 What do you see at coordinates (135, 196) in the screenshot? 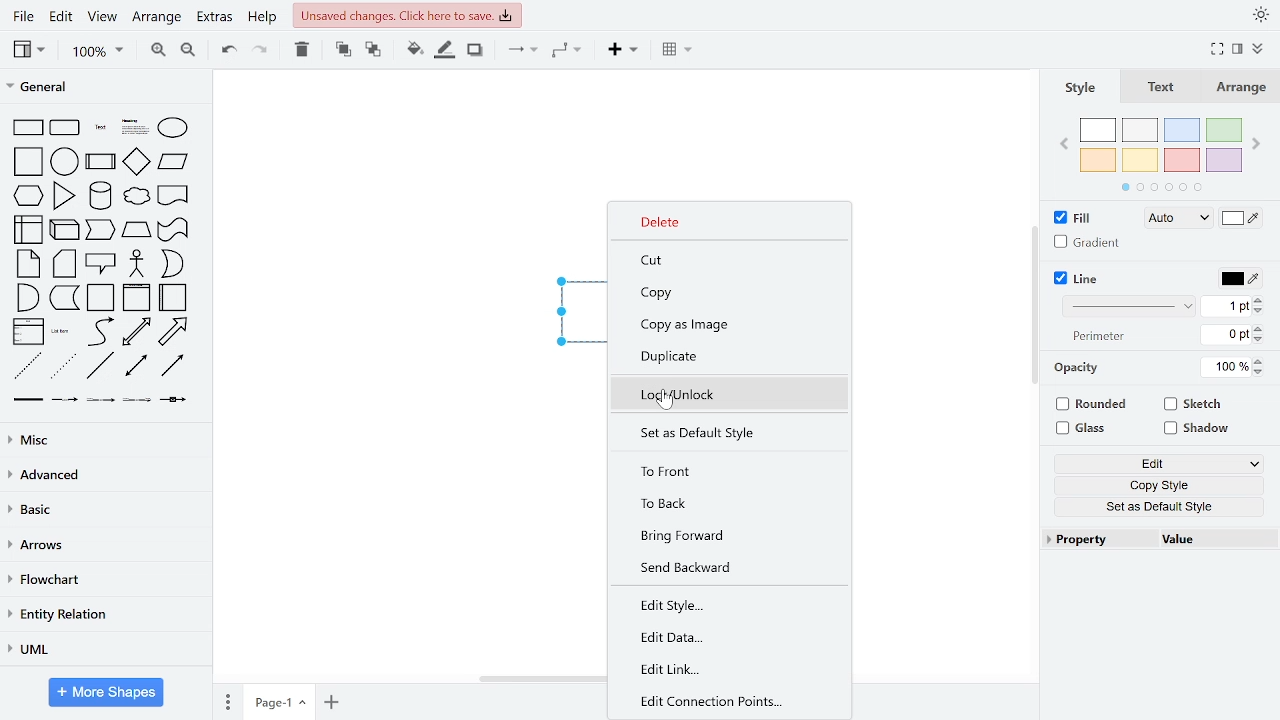
I see `cloud` at bounding box center [135, 196].